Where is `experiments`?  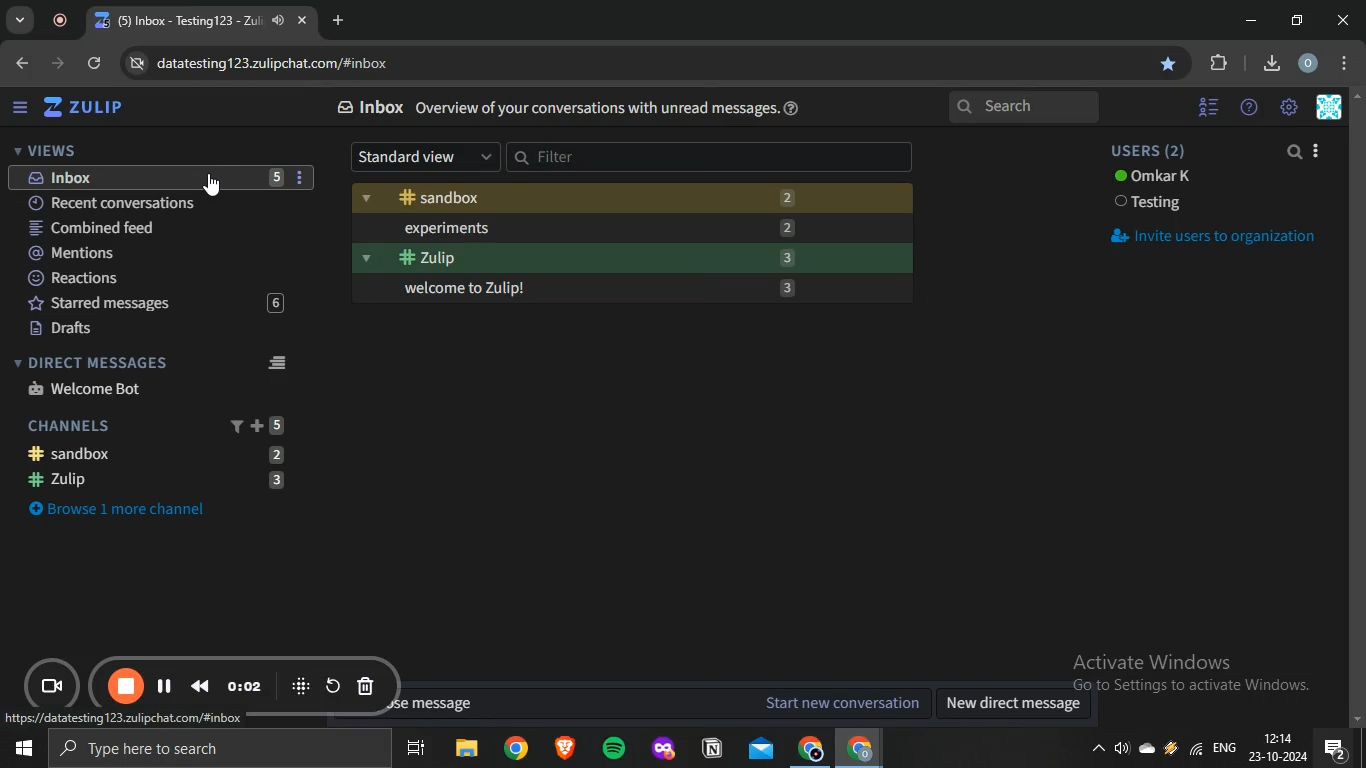
experiments is located at coordinates (634, 227).